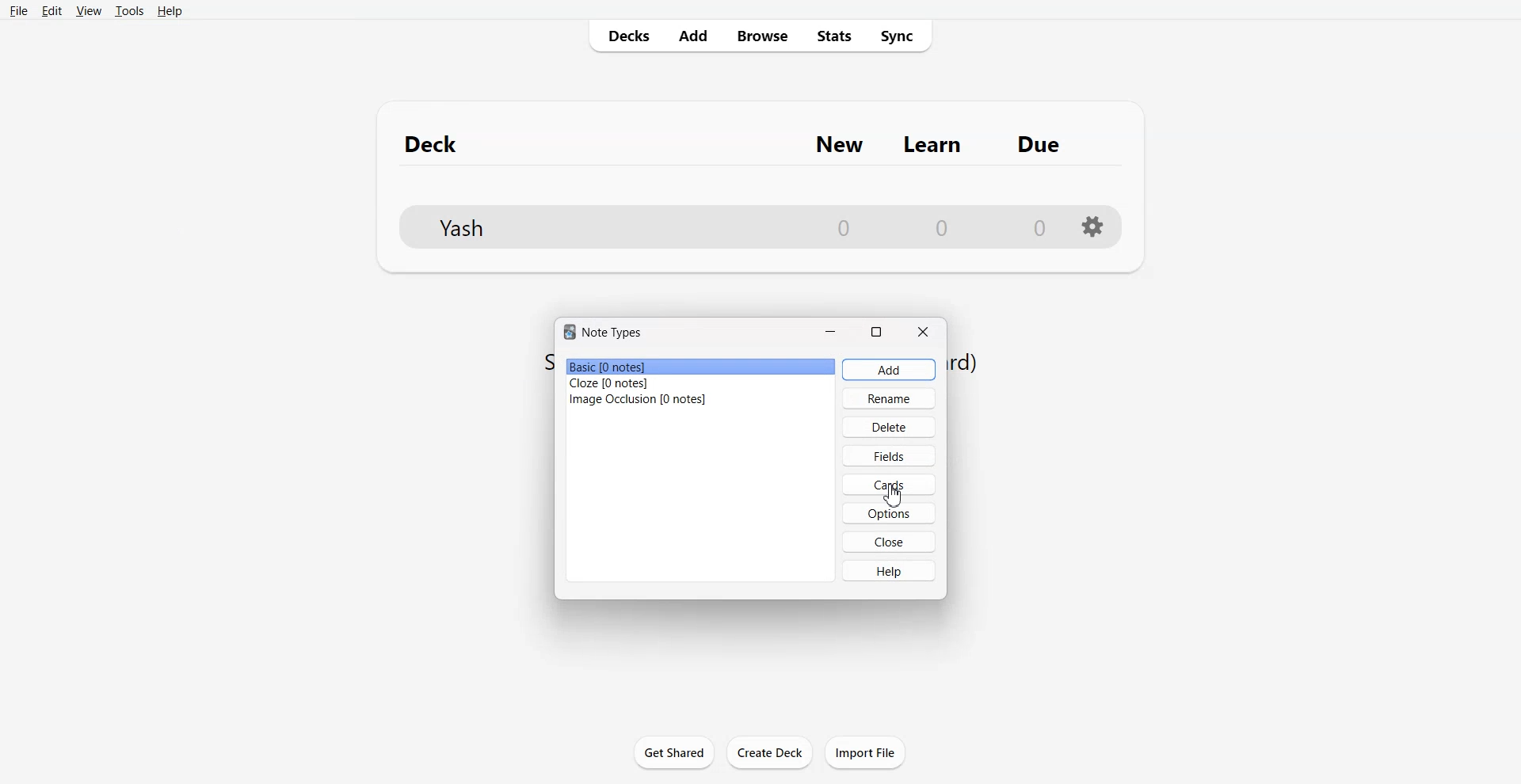  Describe the element at coordinates (888, 542) in the screenshot. I see `Close` at that location.